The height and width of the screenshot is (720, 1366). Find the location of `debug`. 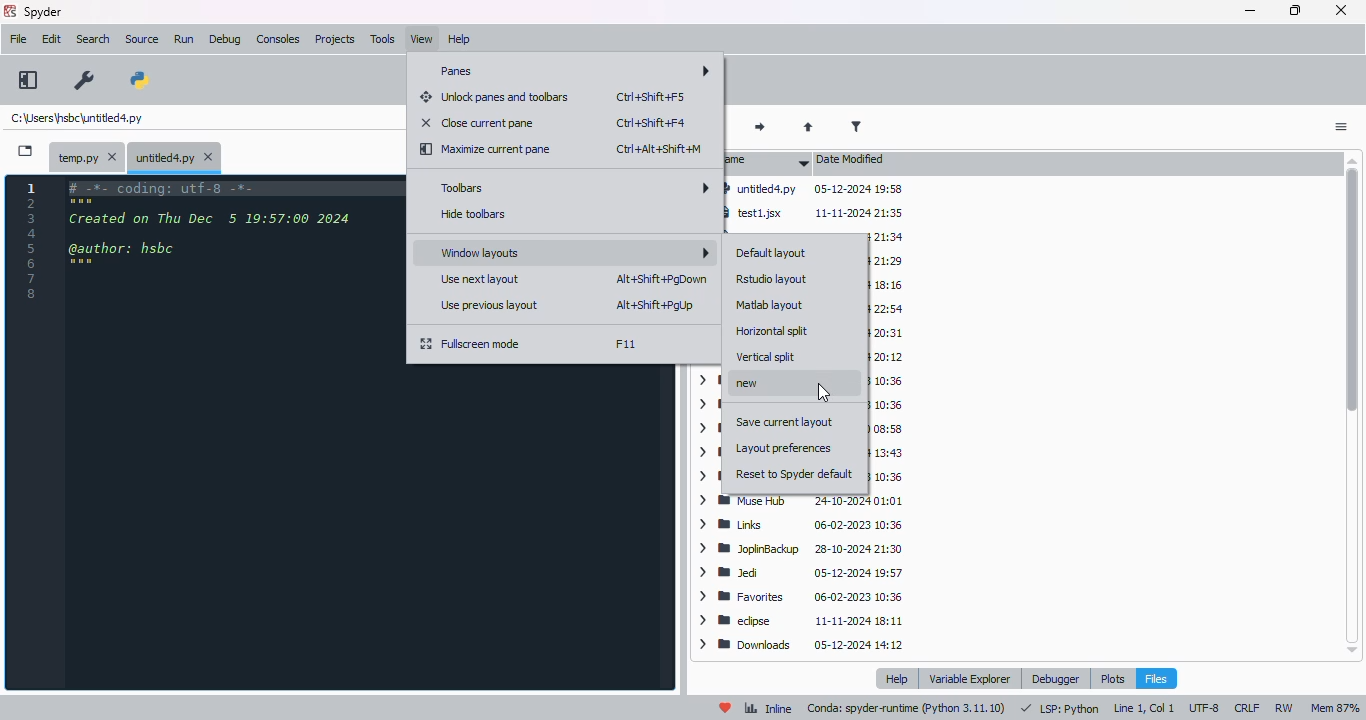

debug is located at coordinates (225, 40).